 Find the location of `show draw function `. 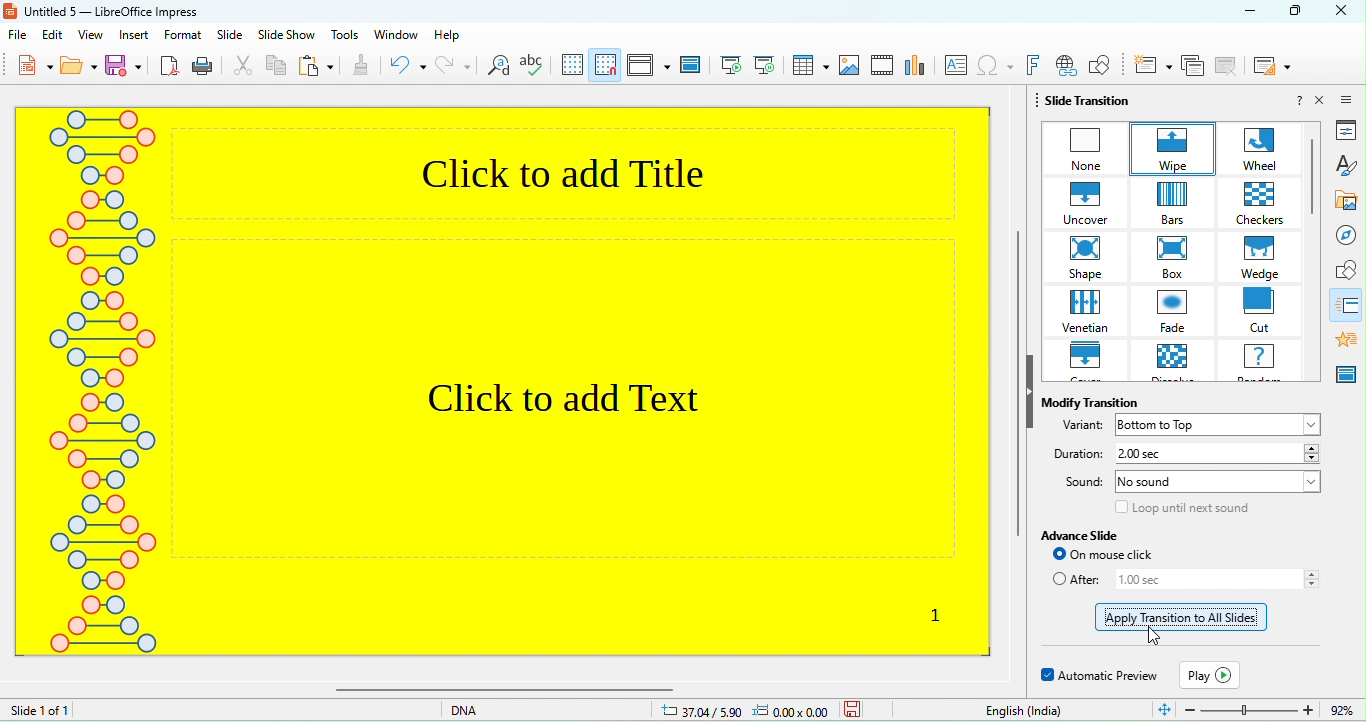

show draw function  is located at coordinates (1099, 68).